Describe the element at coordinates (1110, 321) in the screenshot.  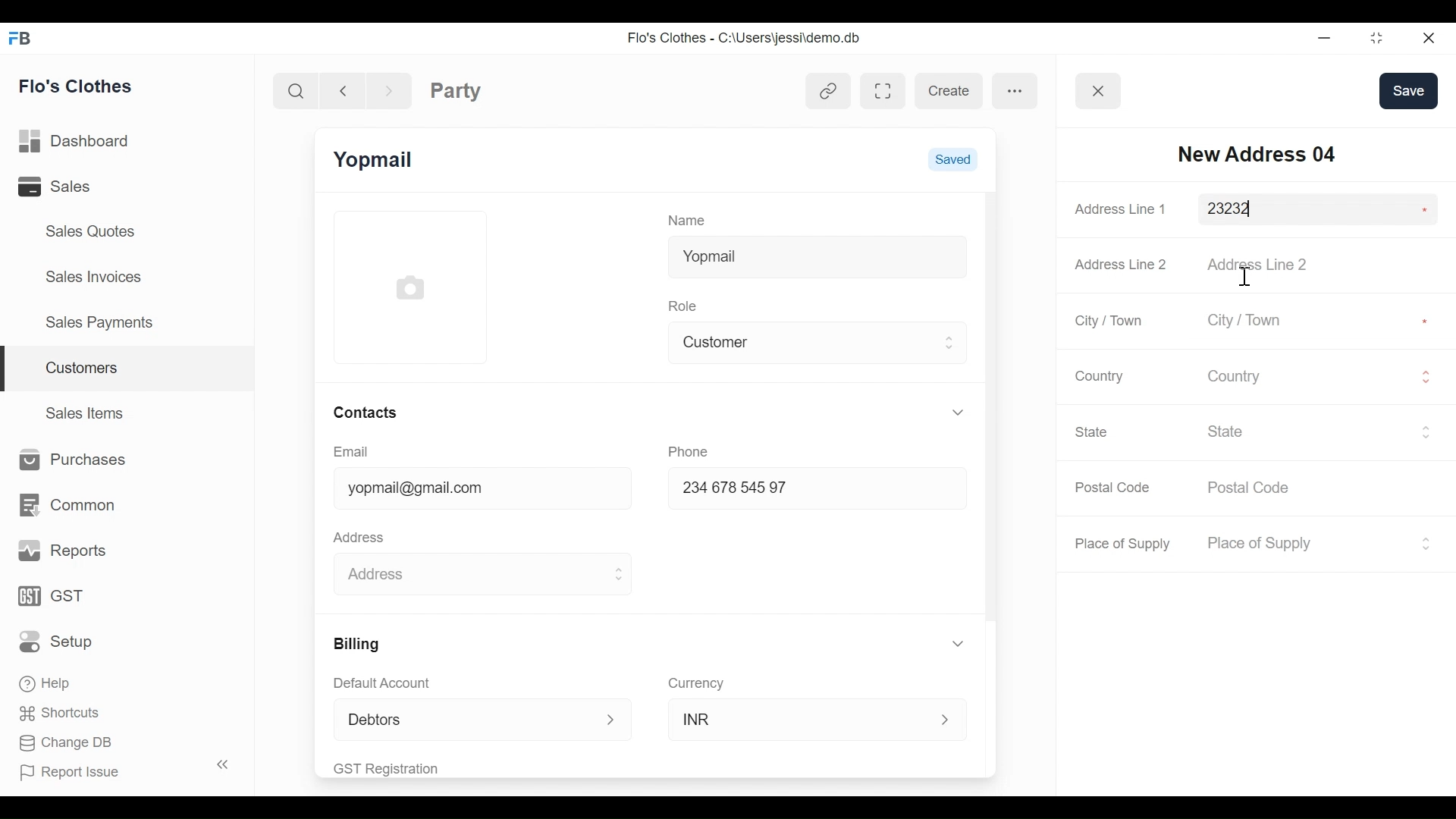
I see `City / Town` at that location.